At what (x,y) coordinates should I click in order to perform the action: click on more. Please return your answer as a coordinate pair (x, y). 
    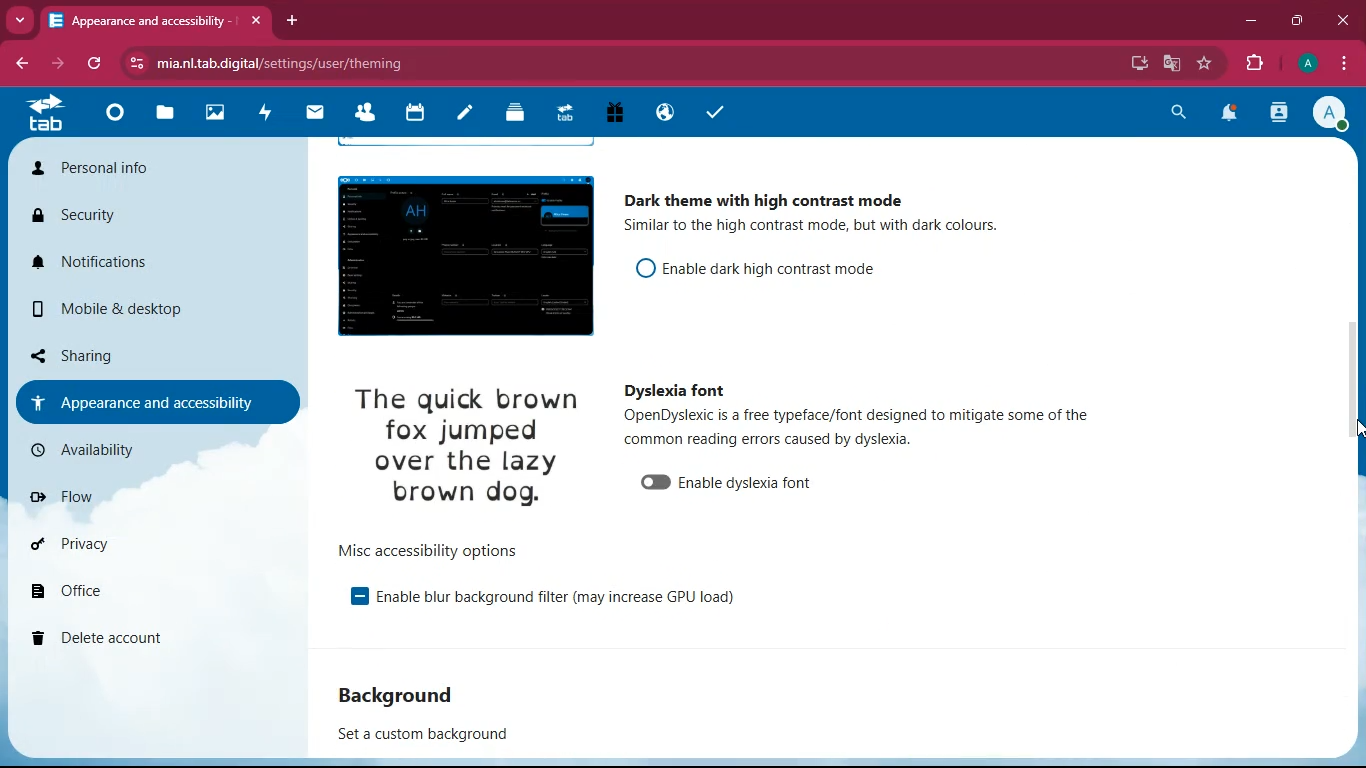
    Looking at the image, I should click on (20, 20).